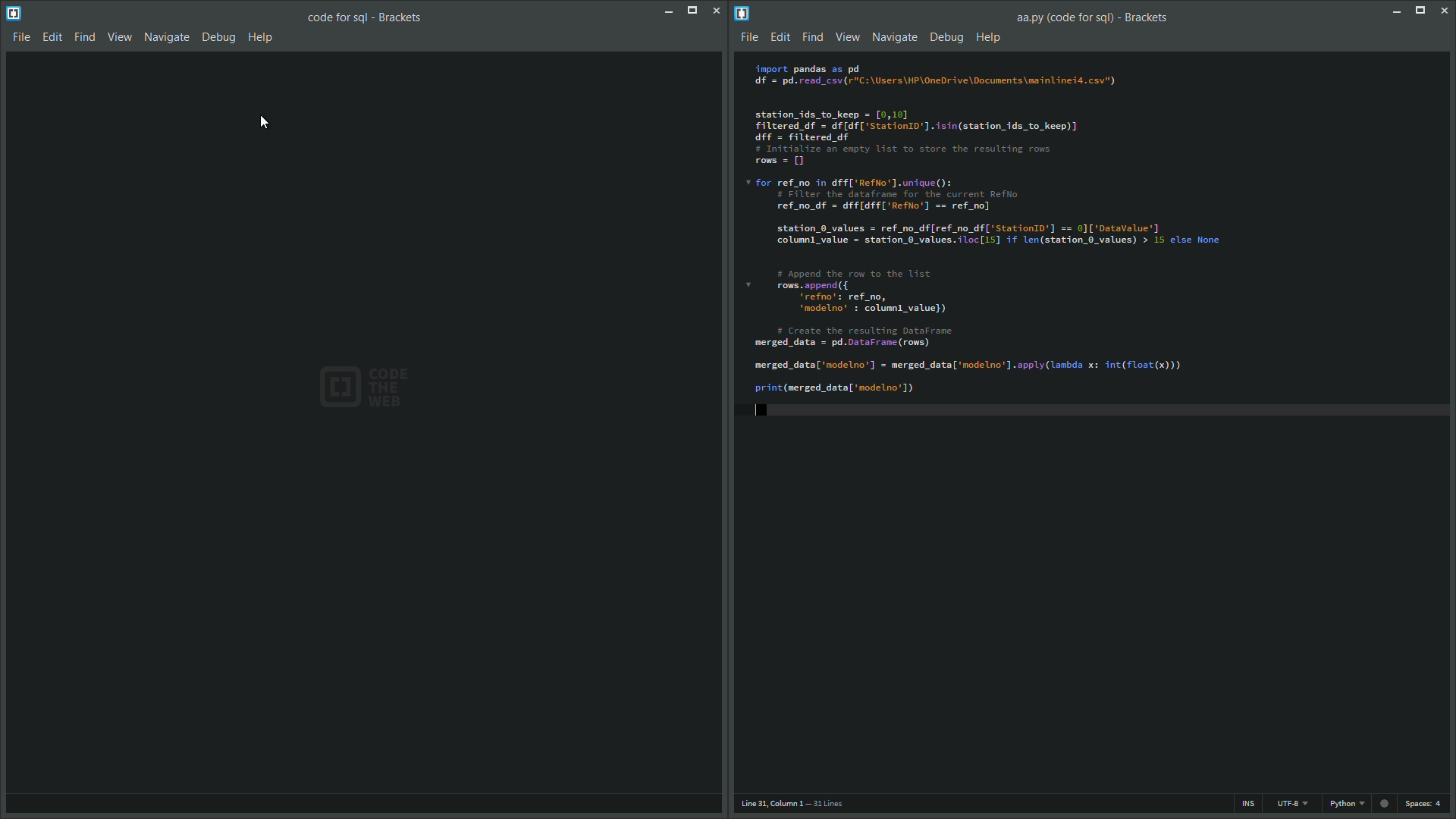 Image resolution: width=1456 pixels, height=819 pixels. I want to click on Debug, so click(948, 37).